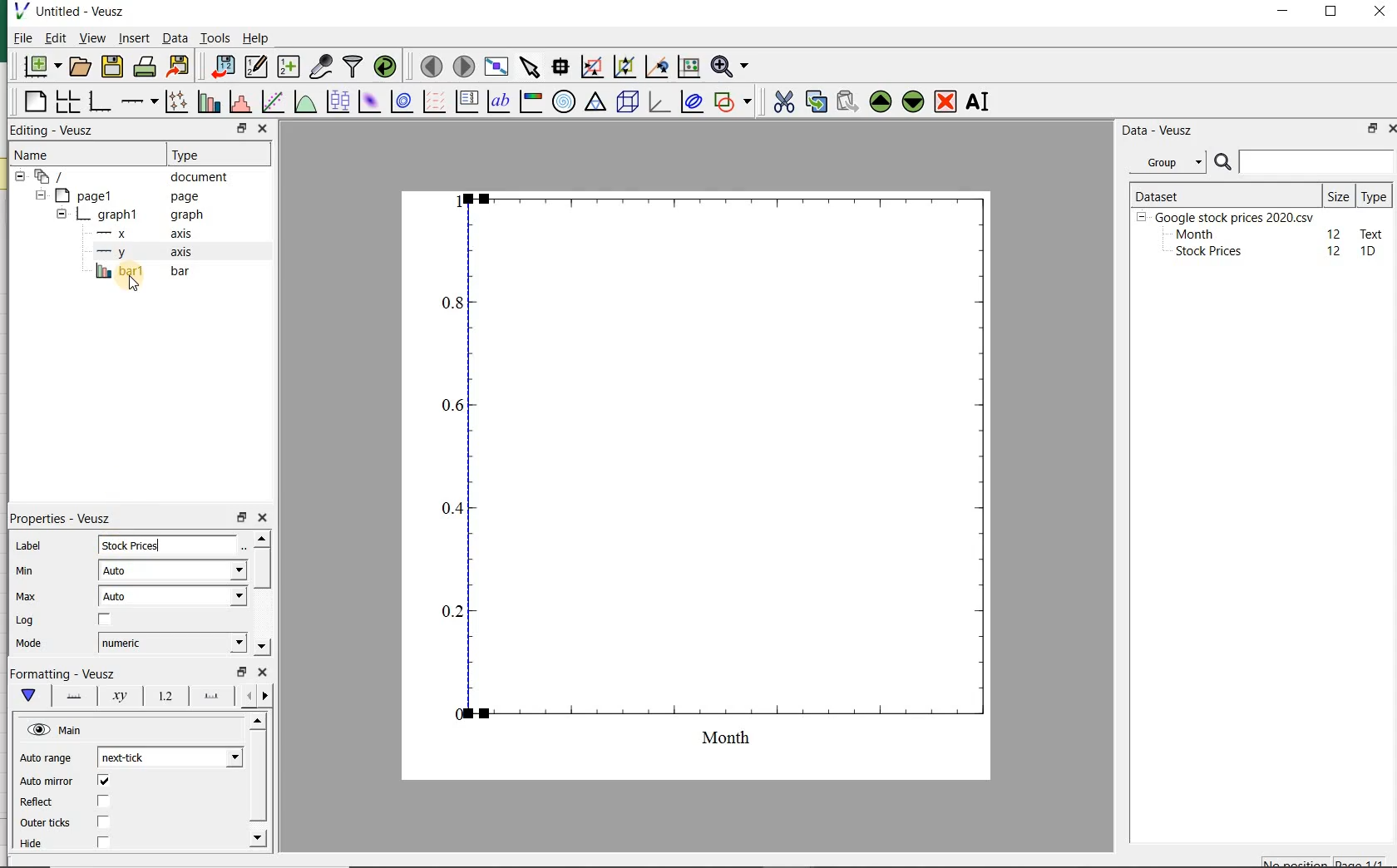  I want to click on close, so click(262, 128).